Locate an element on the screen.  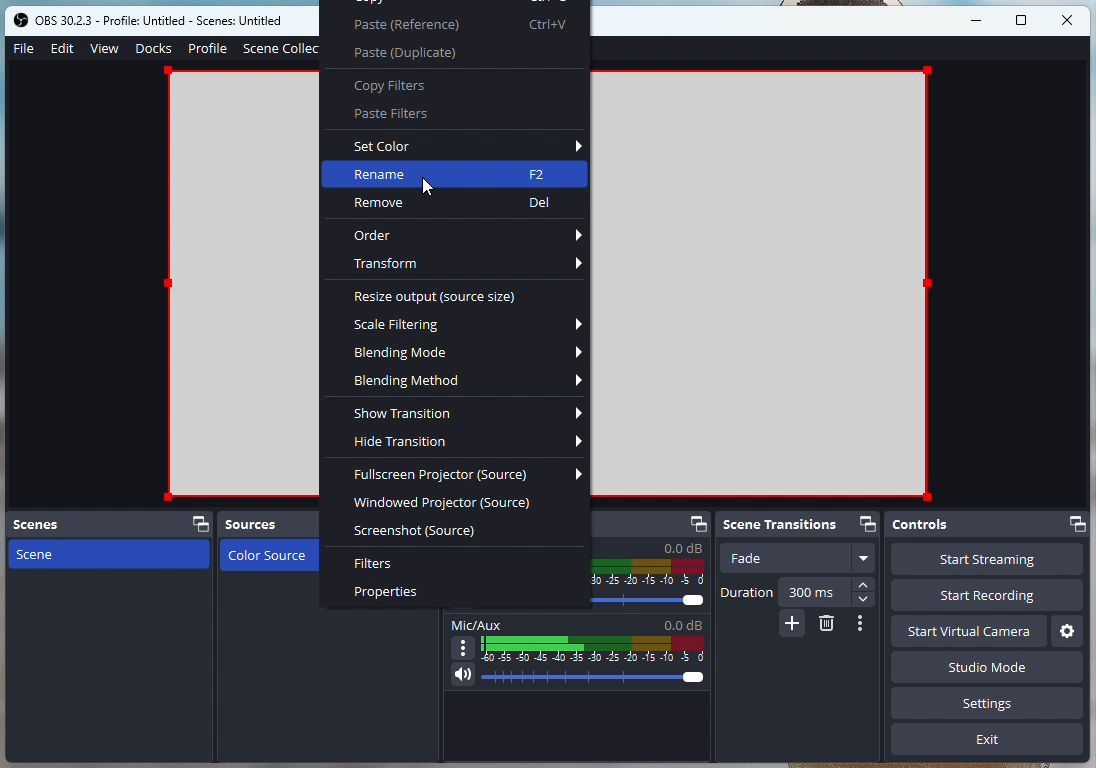
Settings is located at coordinates (1066, 630).